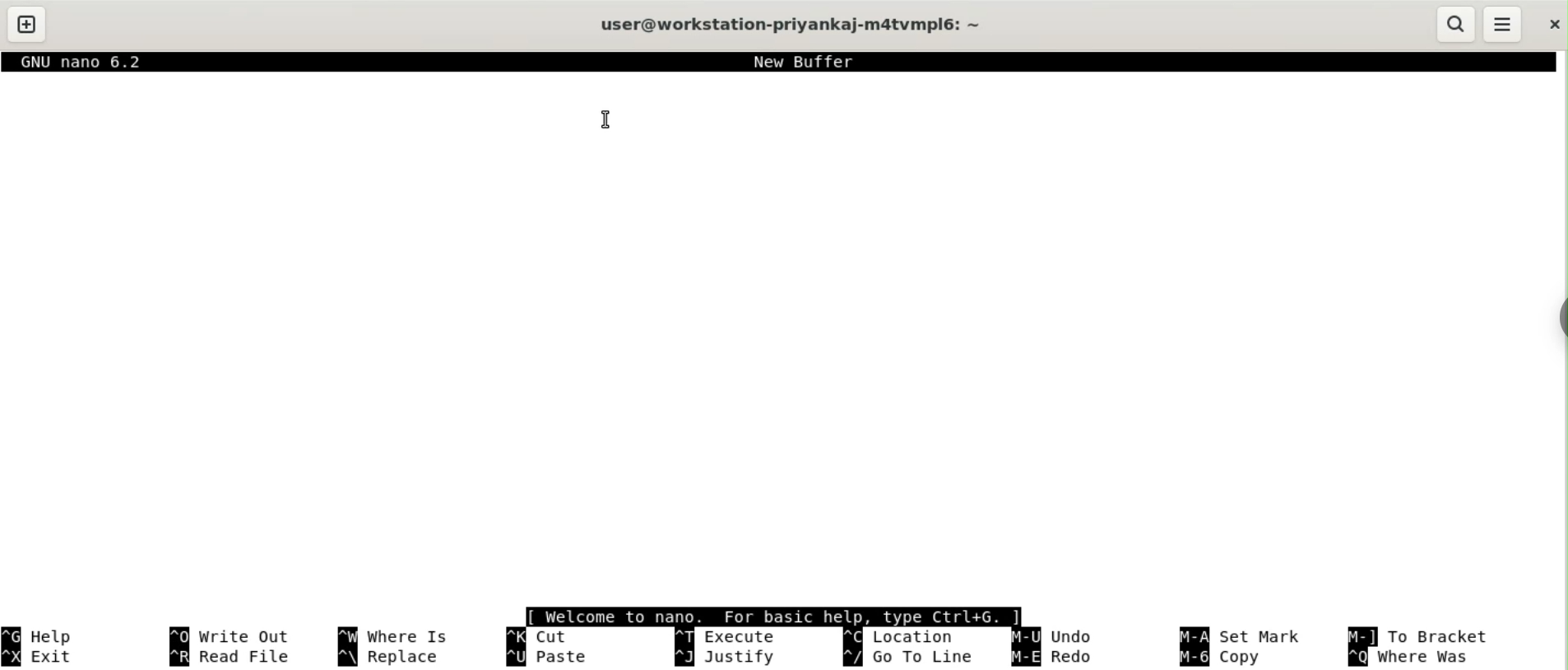 Image resolution: width=1568 pixels, height=670 pixels. What do you see at coordinates (728, 658) in the screenshot?
I see `justify` at bounding box center [728, 658].